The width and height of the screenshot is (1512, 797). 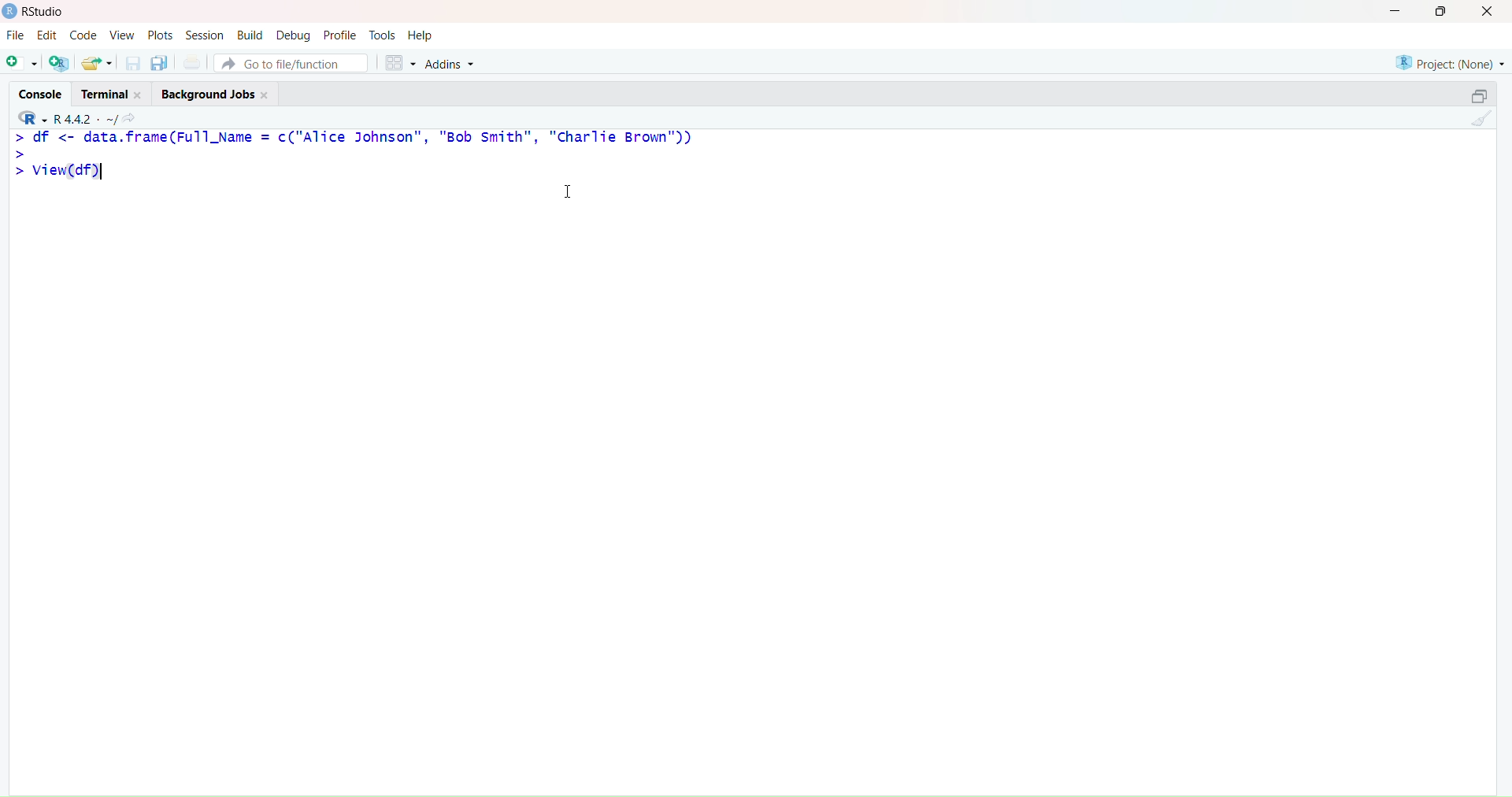 What do you see at coordinates (87, 117) in the screenshot?
I see `R 4.4.2 ~/` at bounding box center [87, 117].